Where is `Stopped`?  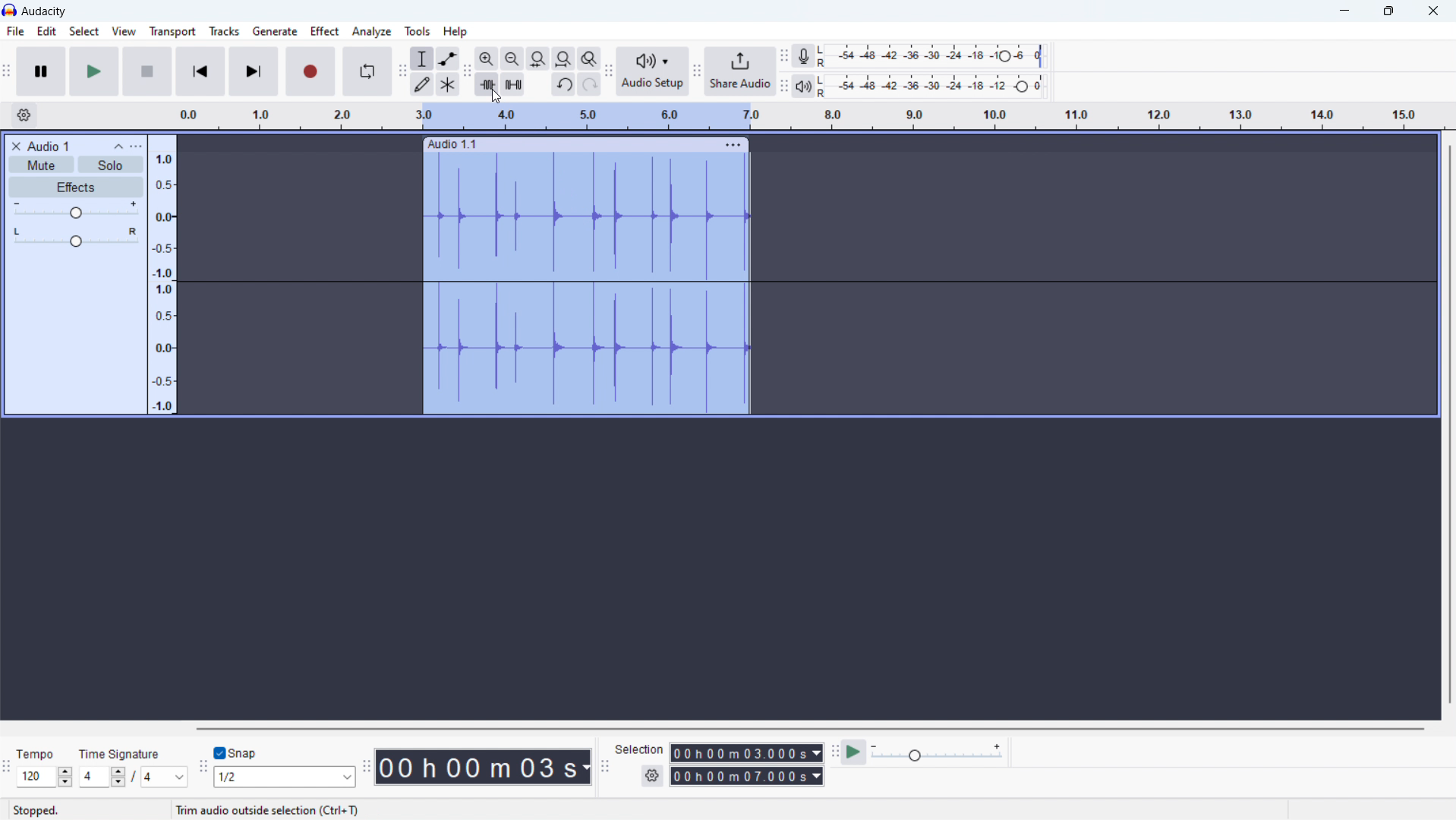 Stopped is located at coordinates (36, 809).